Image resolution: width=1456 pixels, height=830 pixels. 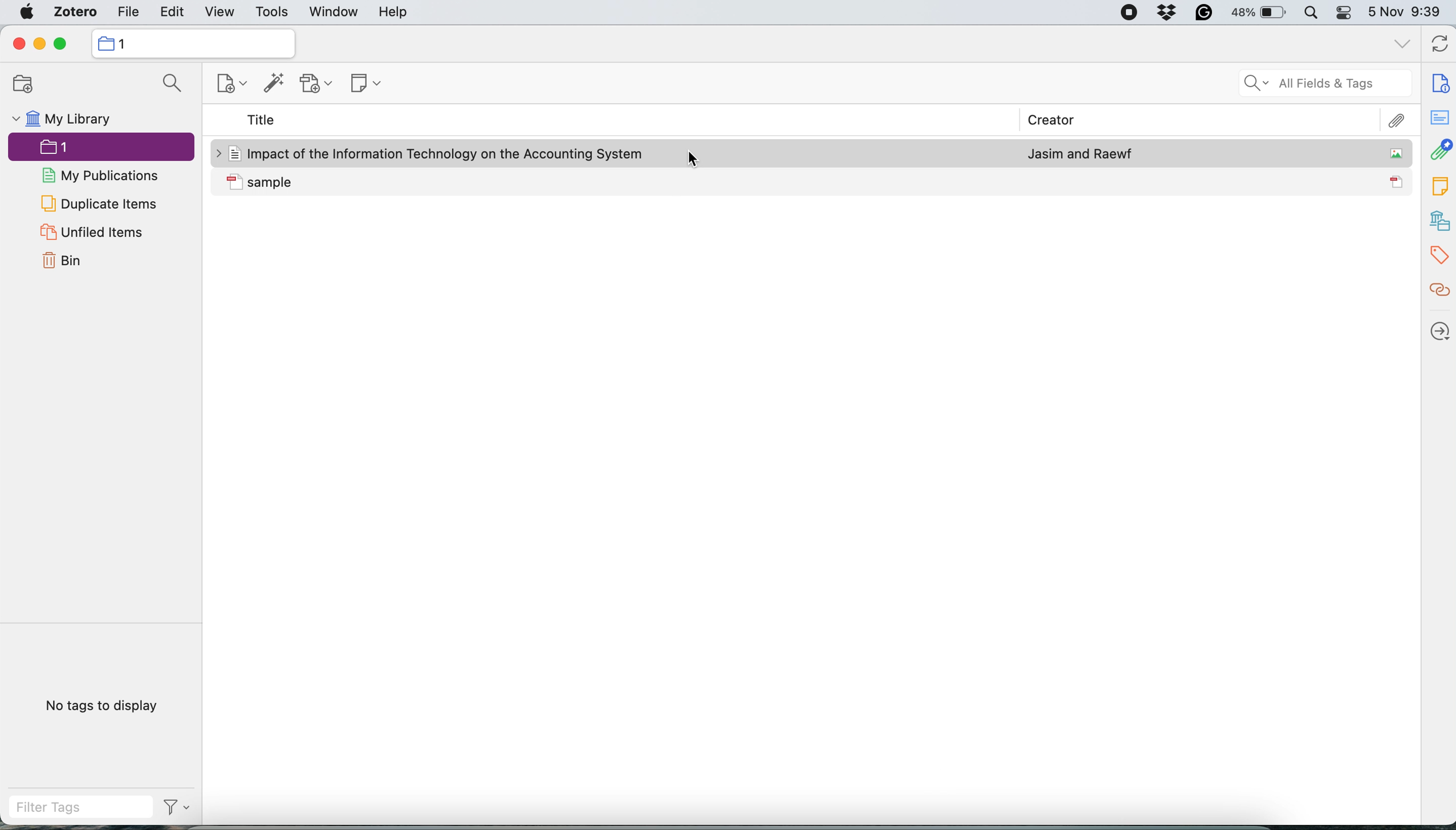 I want to click on list all tabs, so click(x=1402, y=47).